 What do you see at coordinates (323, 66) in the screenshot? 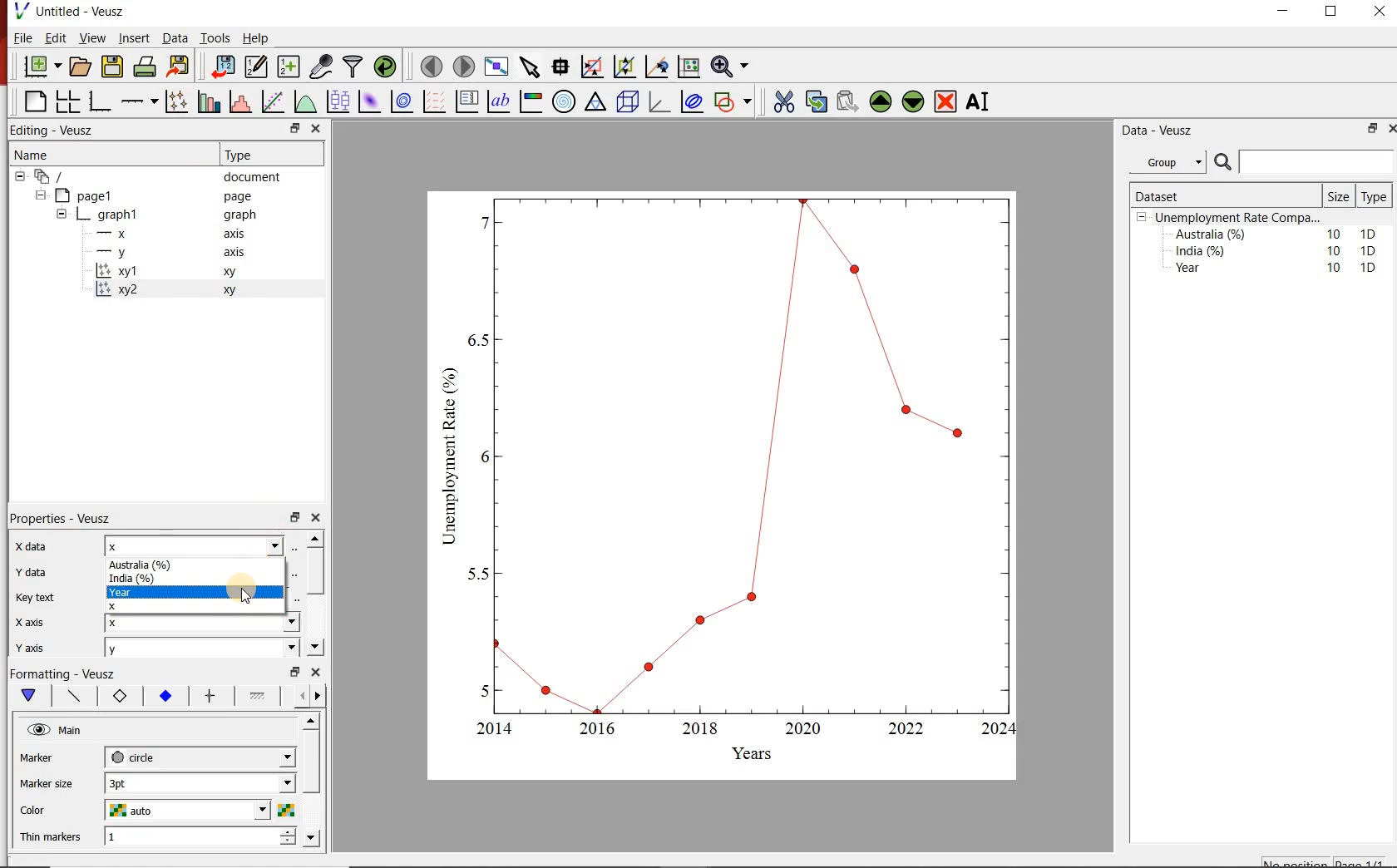
I see `caputure remote data` at bounding box center [323, 66].